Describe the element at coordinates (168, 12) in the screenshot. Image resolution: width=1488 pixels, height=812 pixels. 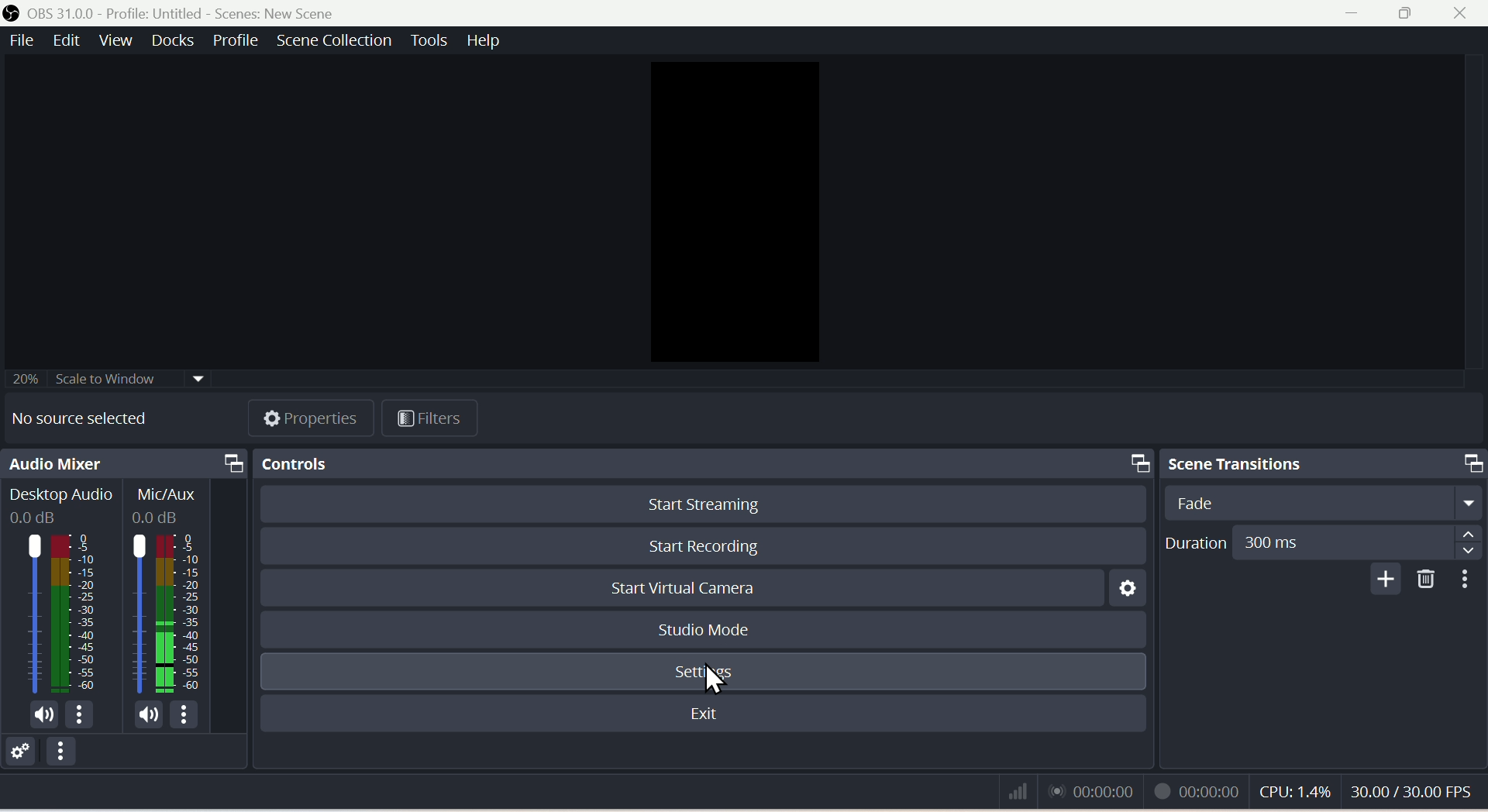
I see `OBS 31.0 .0 profile untitled scenes new scenes` at that location.